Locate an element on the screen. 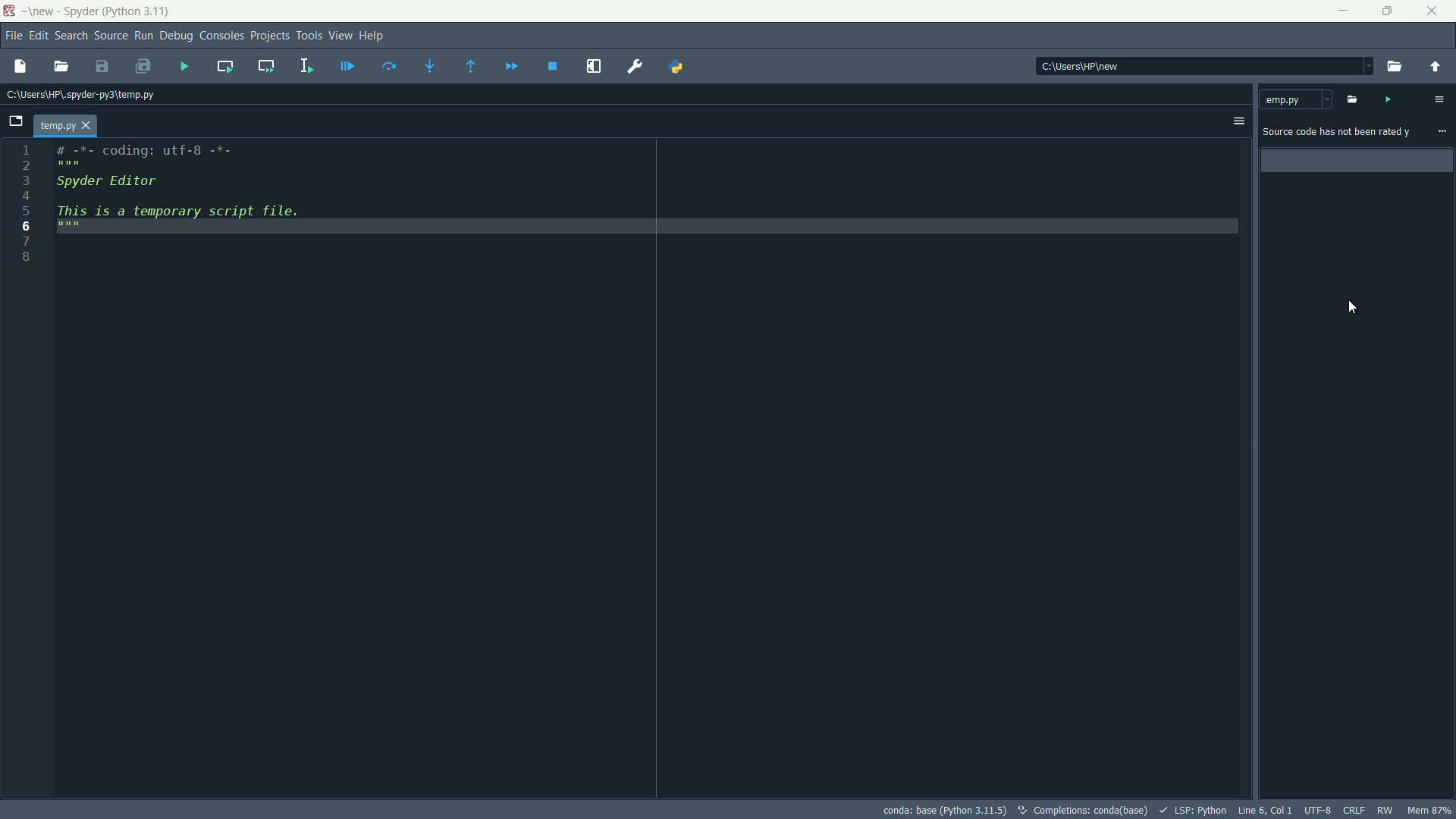  options is located at coordinates (1237, 122).